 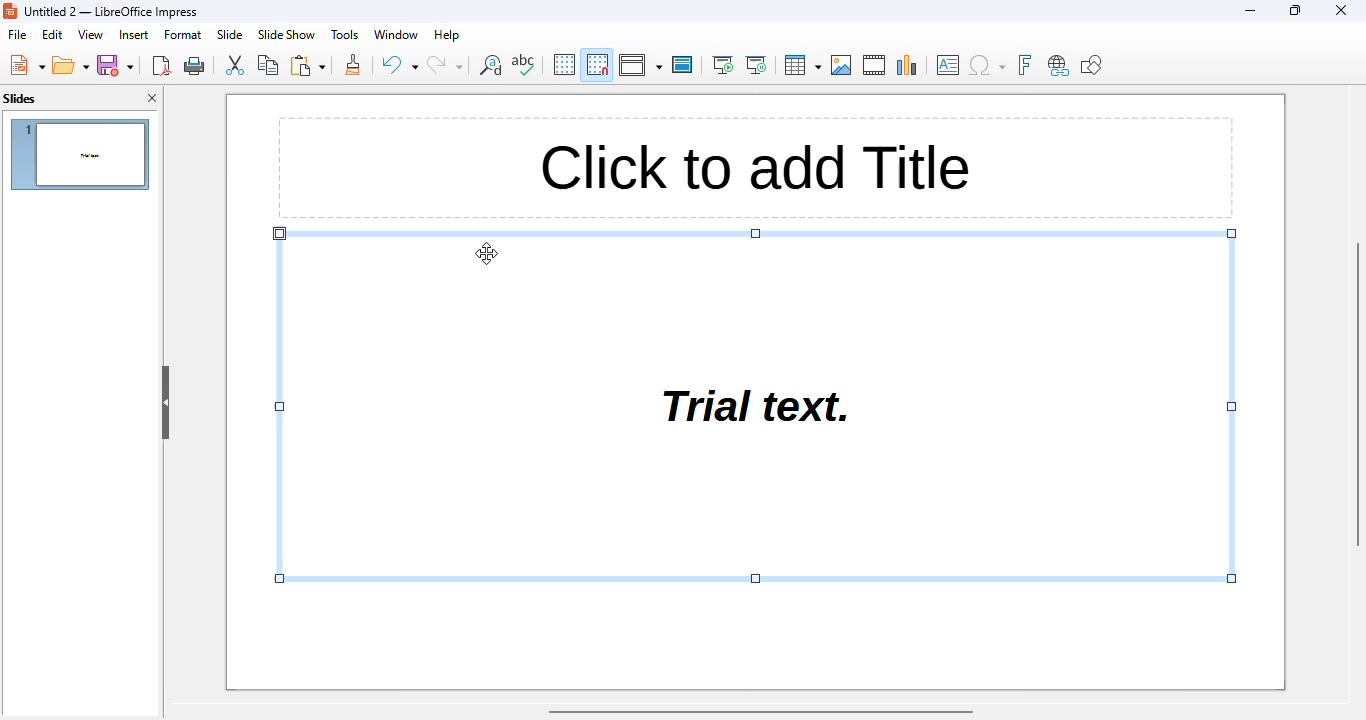 What do you see at coordinates (948, 64) in the screenshot?
I see `insert text box` at bounding box center [948, 64].